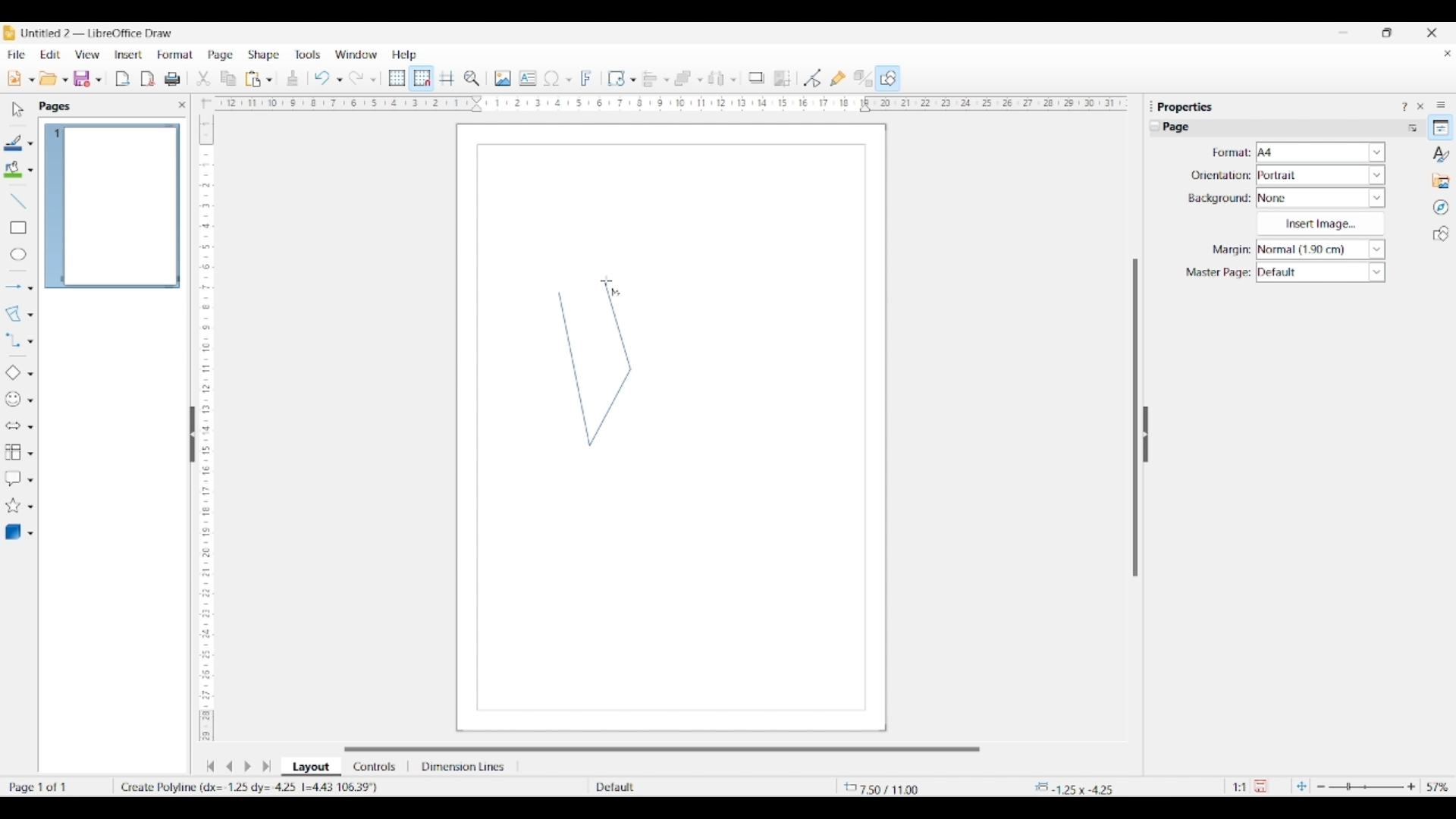 This screenshot has height=819, width=1456. Describe the element at coordinates (405, 55) in the screenshot. I see `Help` at that location.